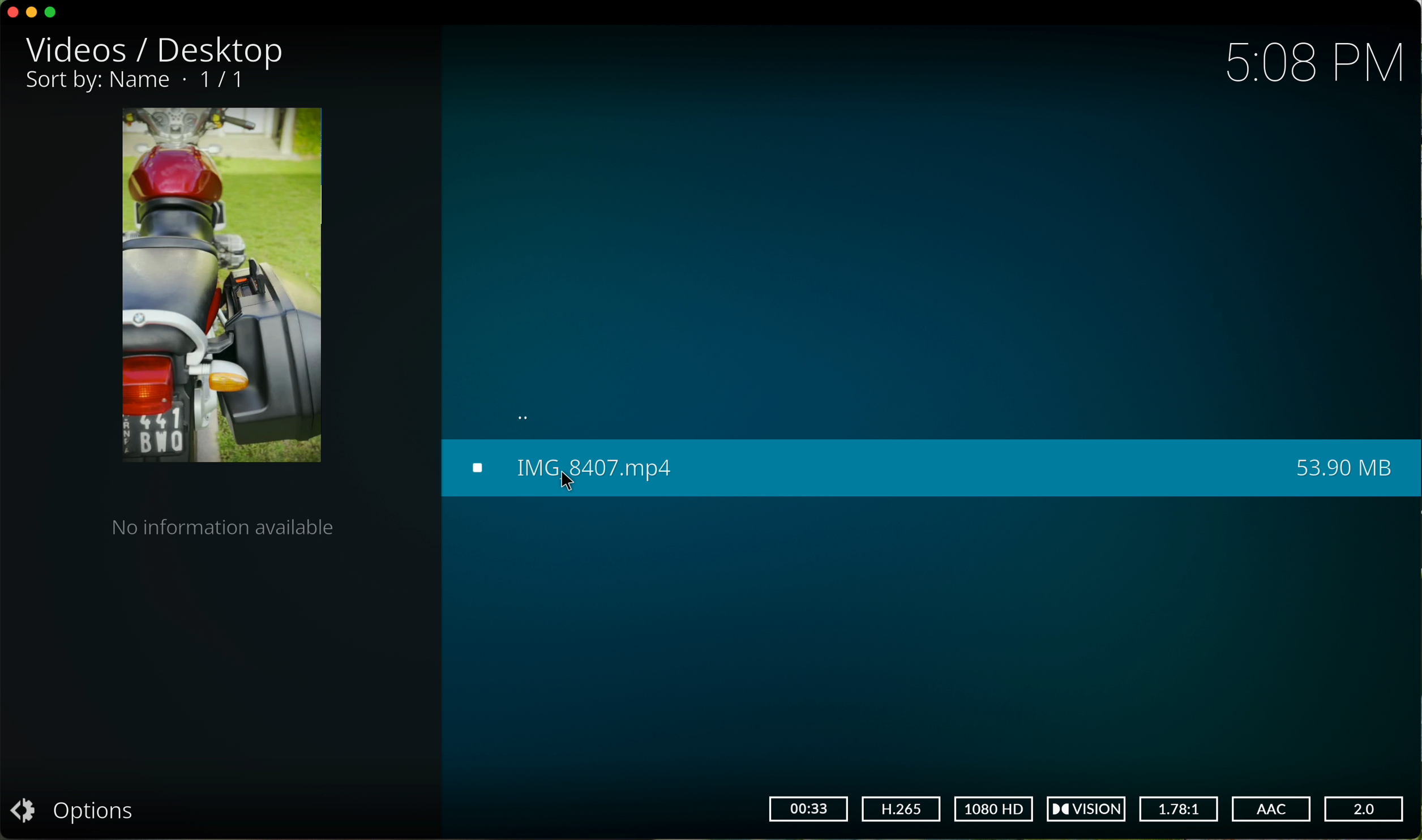  I want to click on 5:08 PM, so click(1314, 64).